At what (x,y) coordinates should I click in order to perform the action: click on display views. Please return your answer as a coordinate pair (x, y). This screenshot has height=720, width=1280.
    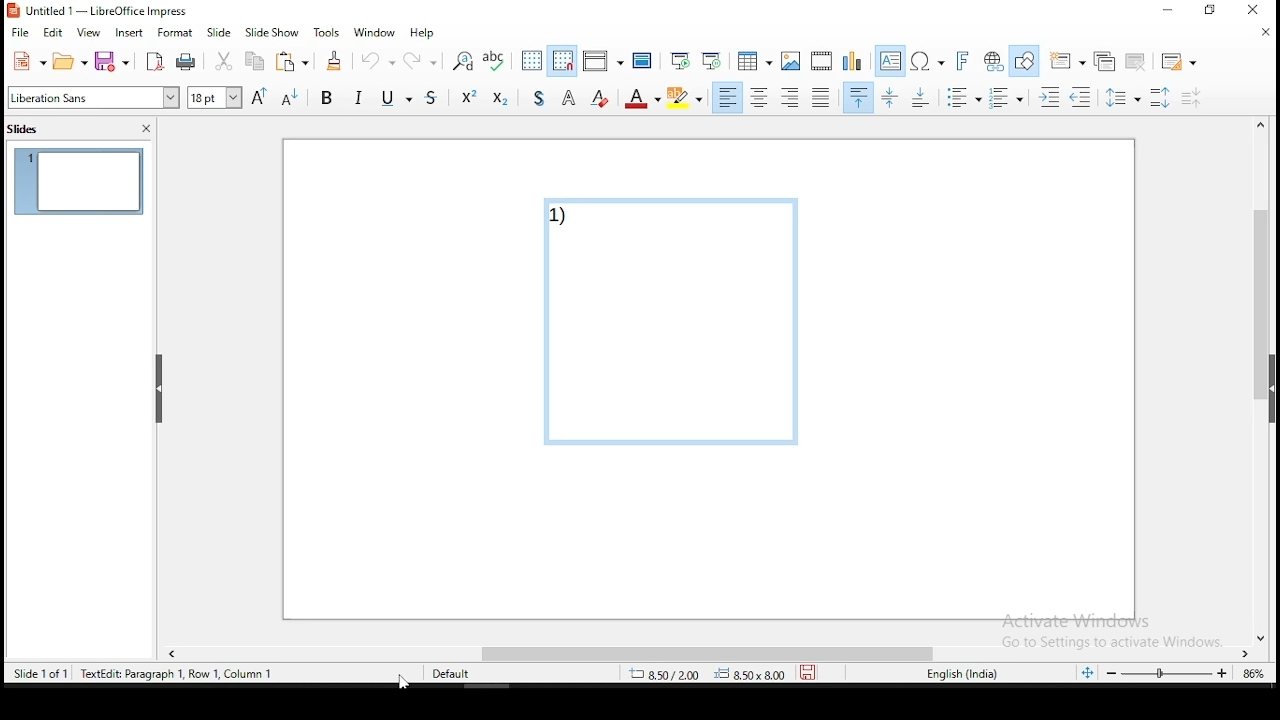
    Looking at the image, I should click on (604, 58).